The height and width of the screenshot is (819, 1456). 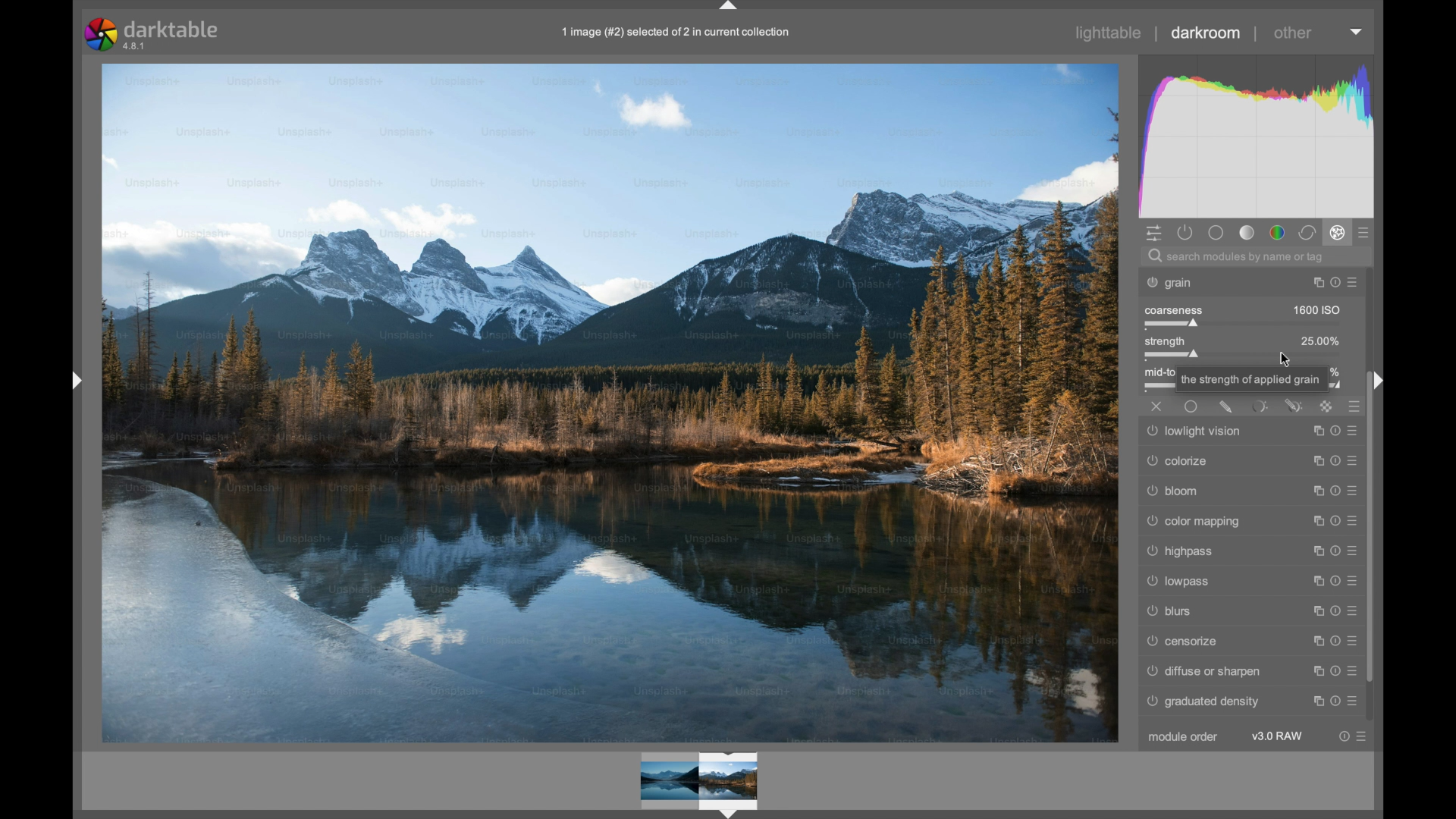 What do you see at coordinates (1180, 460) in the screenshot?
I see `colorize` at bounding box center [1180, 460].